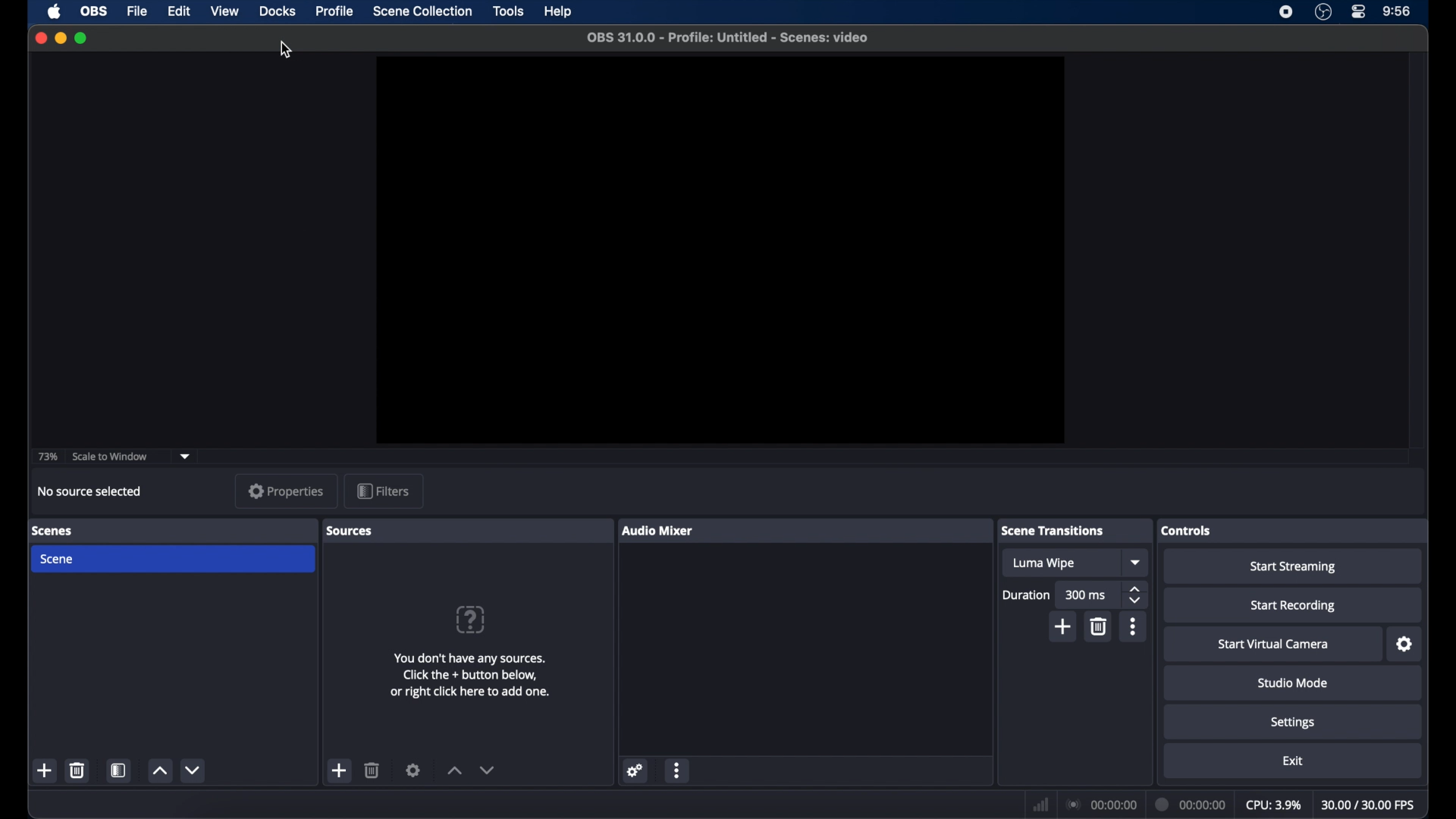  What do you see at coordinates (1063, 626) in the screenshot?
I see `add` at bounding box center [1063, 626].